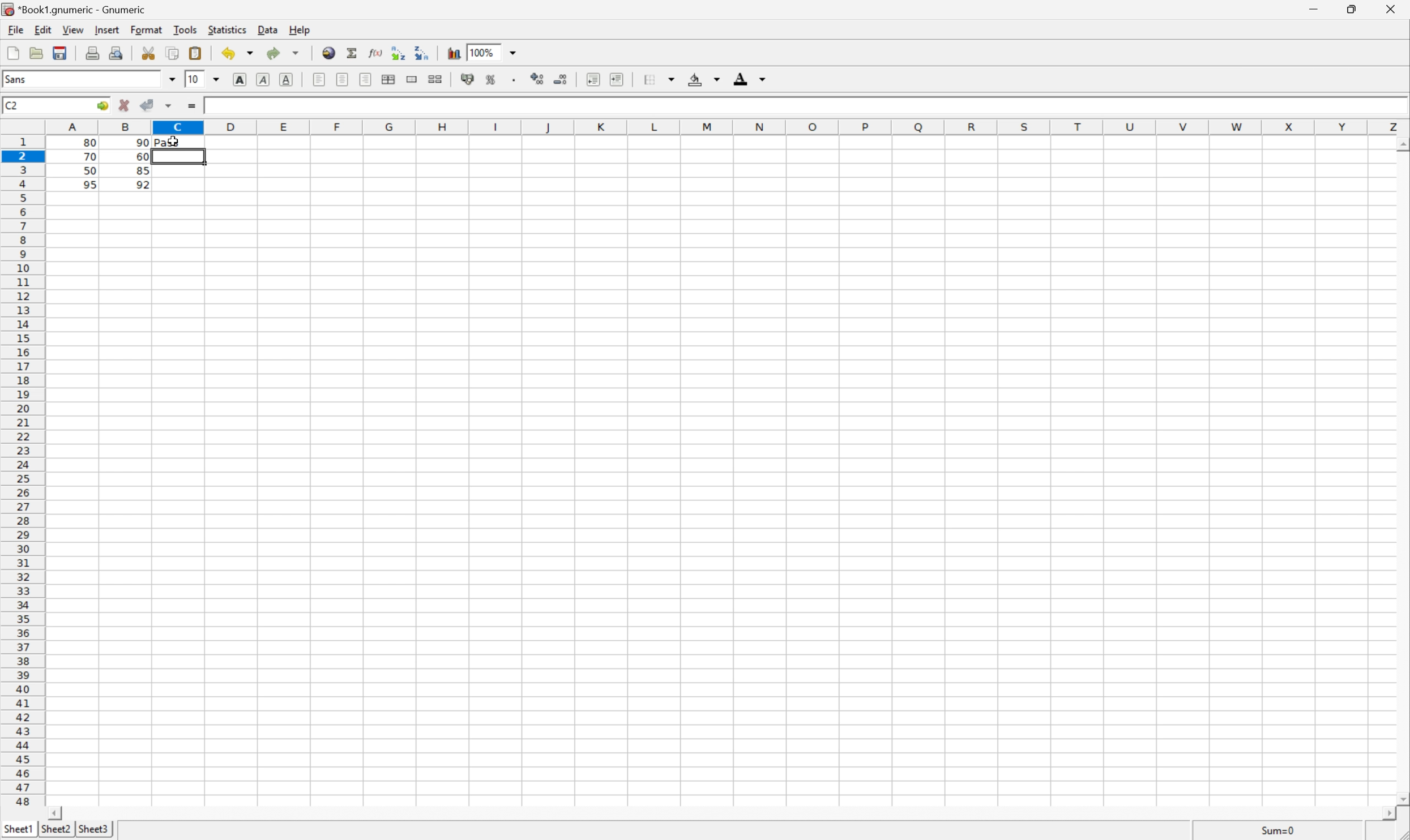 The width and height of the screenshot is (1410, 840). Describe the element at coordinates (59, 52) in the screenshot. I see `Save the current file` at that location.